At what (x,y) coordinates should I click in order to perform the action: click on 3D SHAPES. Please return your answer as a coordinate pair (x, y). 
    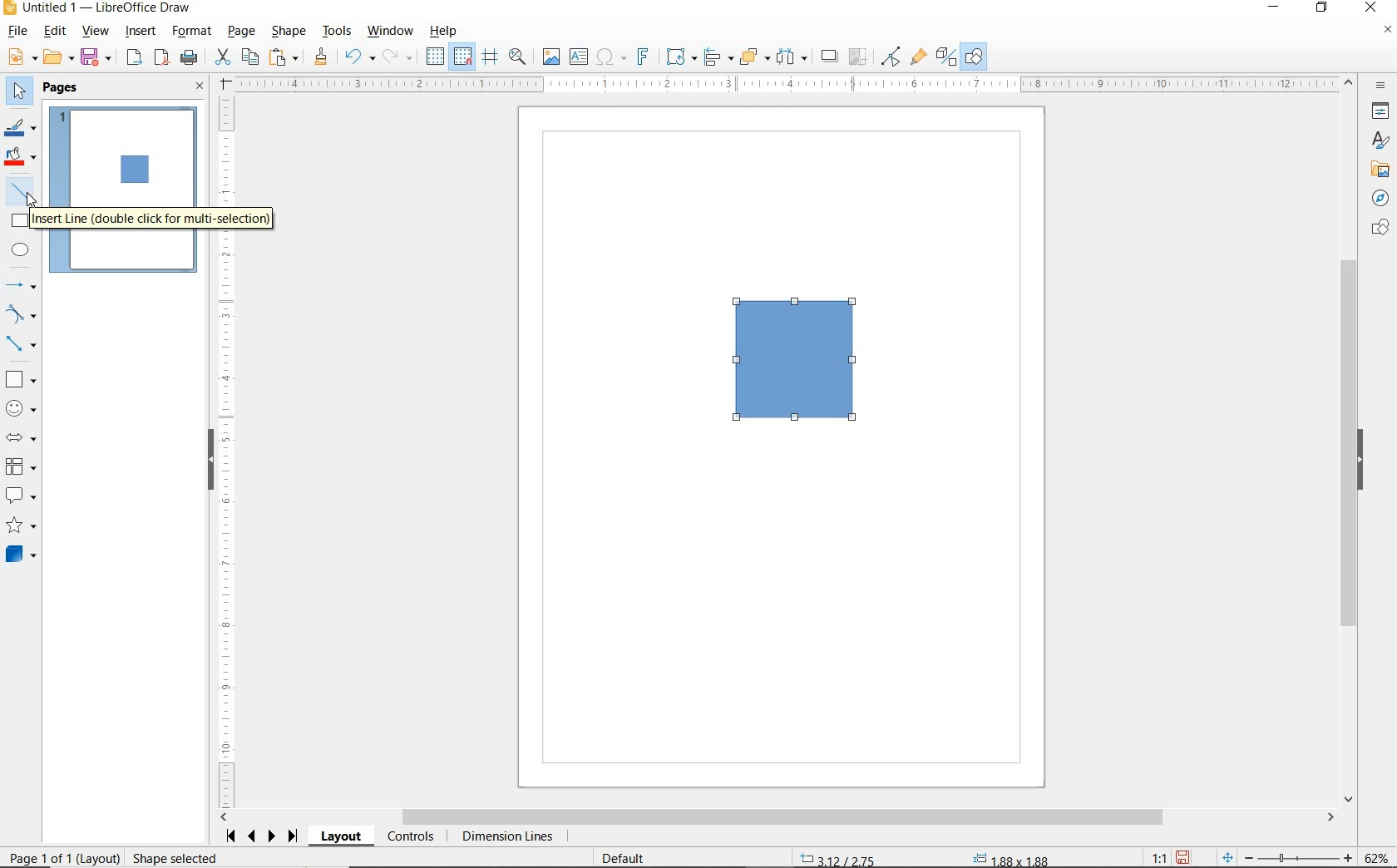
    Looking at the image, I should click on (21, 555).